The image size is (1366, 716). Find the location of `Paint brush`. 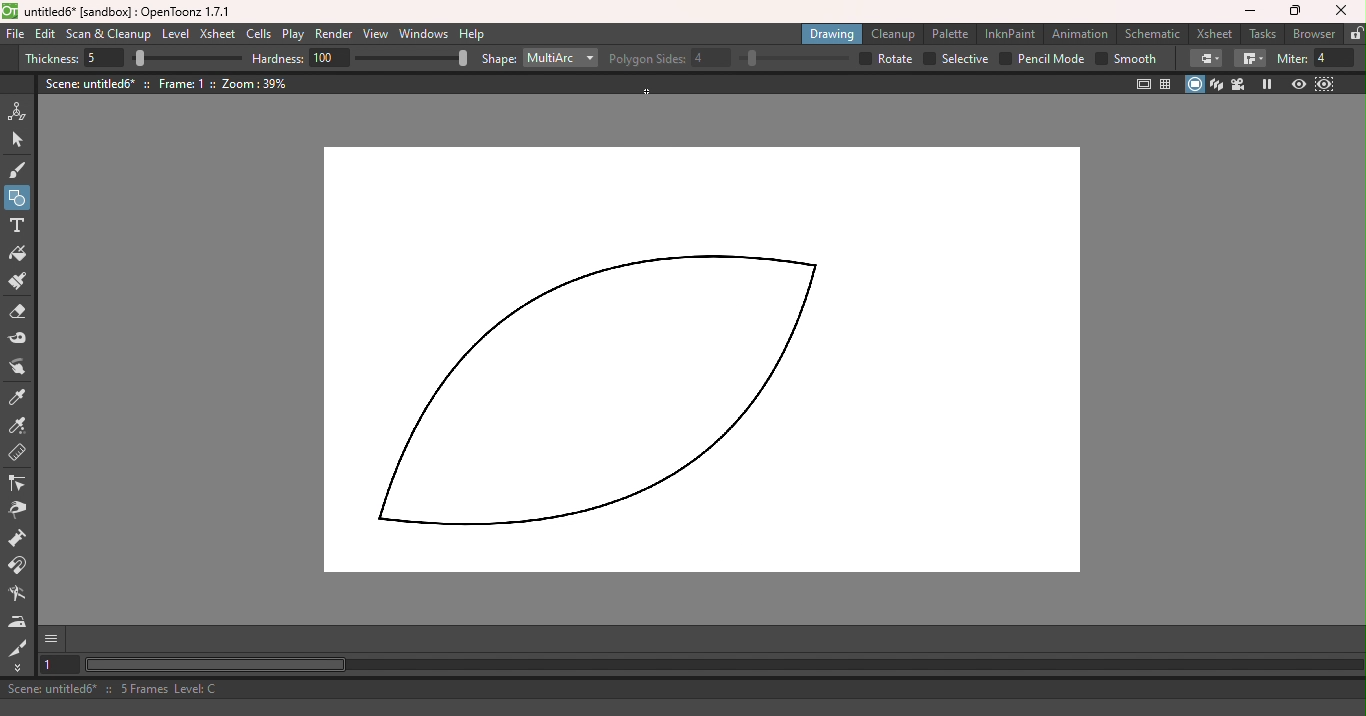

Paint brush is located at coordinates (19, 282).